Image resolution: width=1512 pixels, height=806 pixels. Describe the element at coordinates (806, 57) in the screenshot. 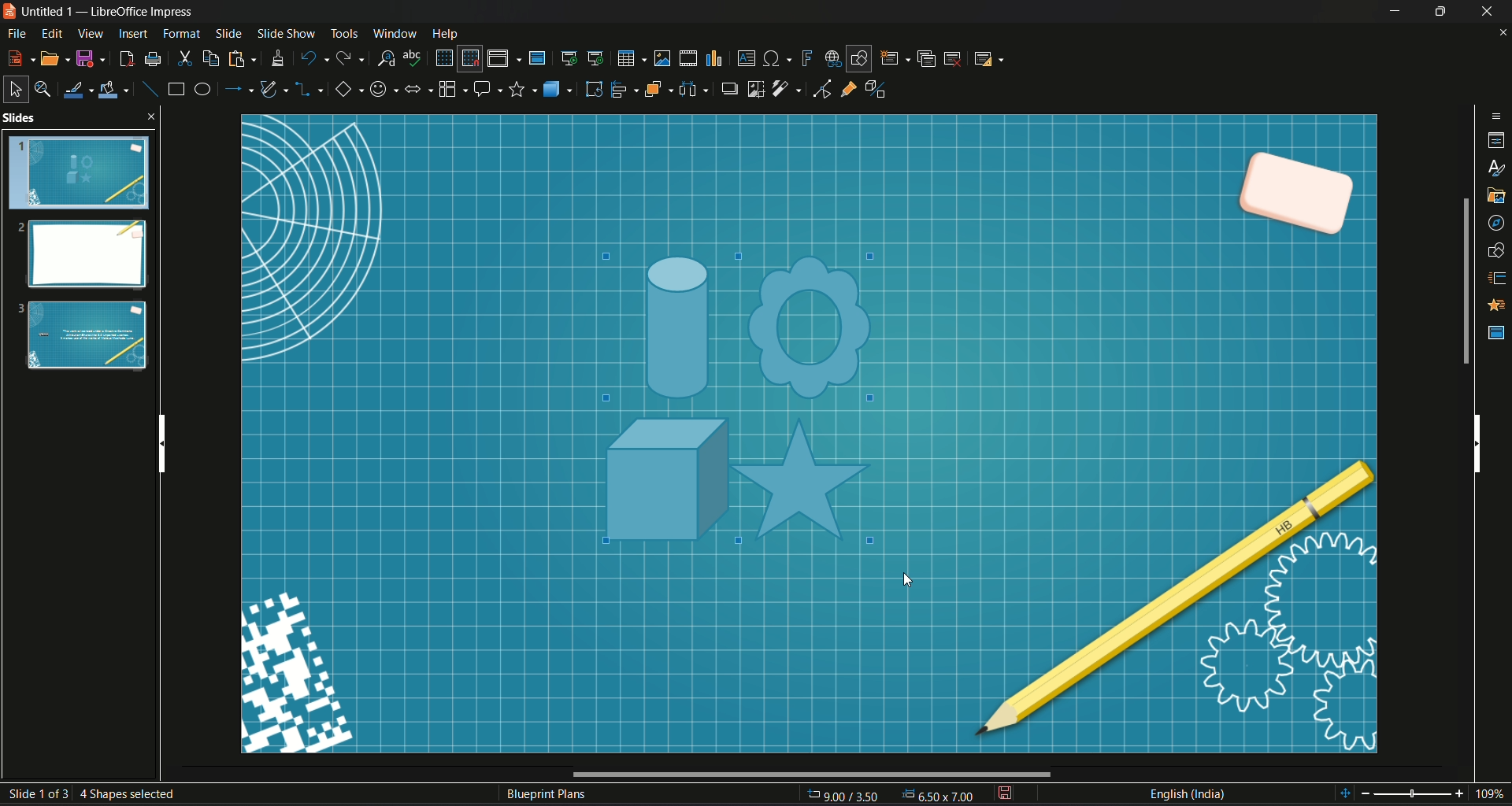

I see `insert fontwork text` at that location.